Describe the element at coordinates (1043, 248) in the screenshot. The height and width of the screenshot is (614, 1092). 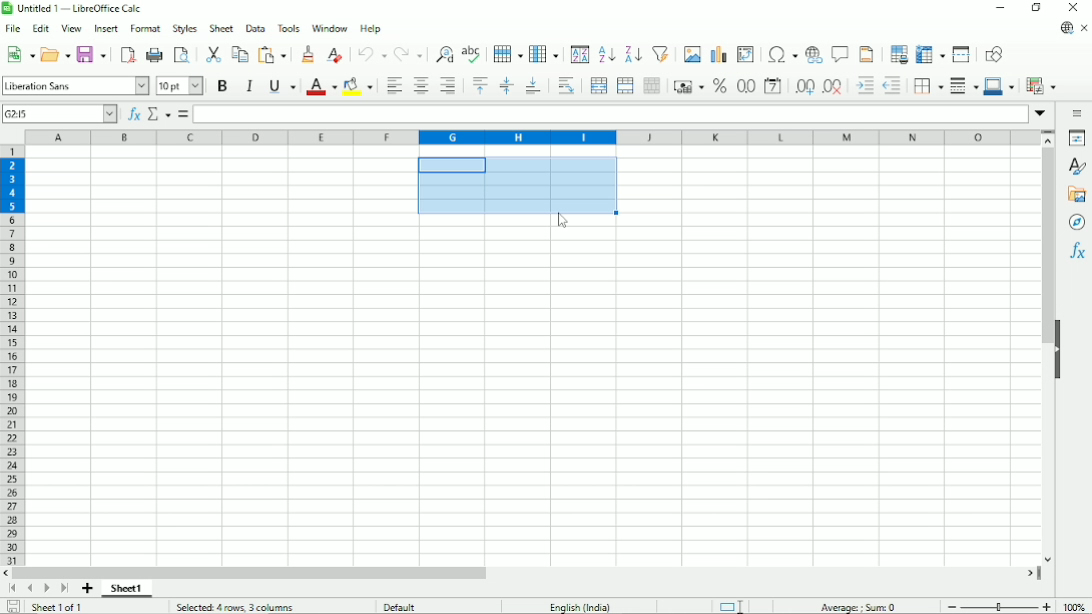
I see `Vertical scrollbar` at that location.